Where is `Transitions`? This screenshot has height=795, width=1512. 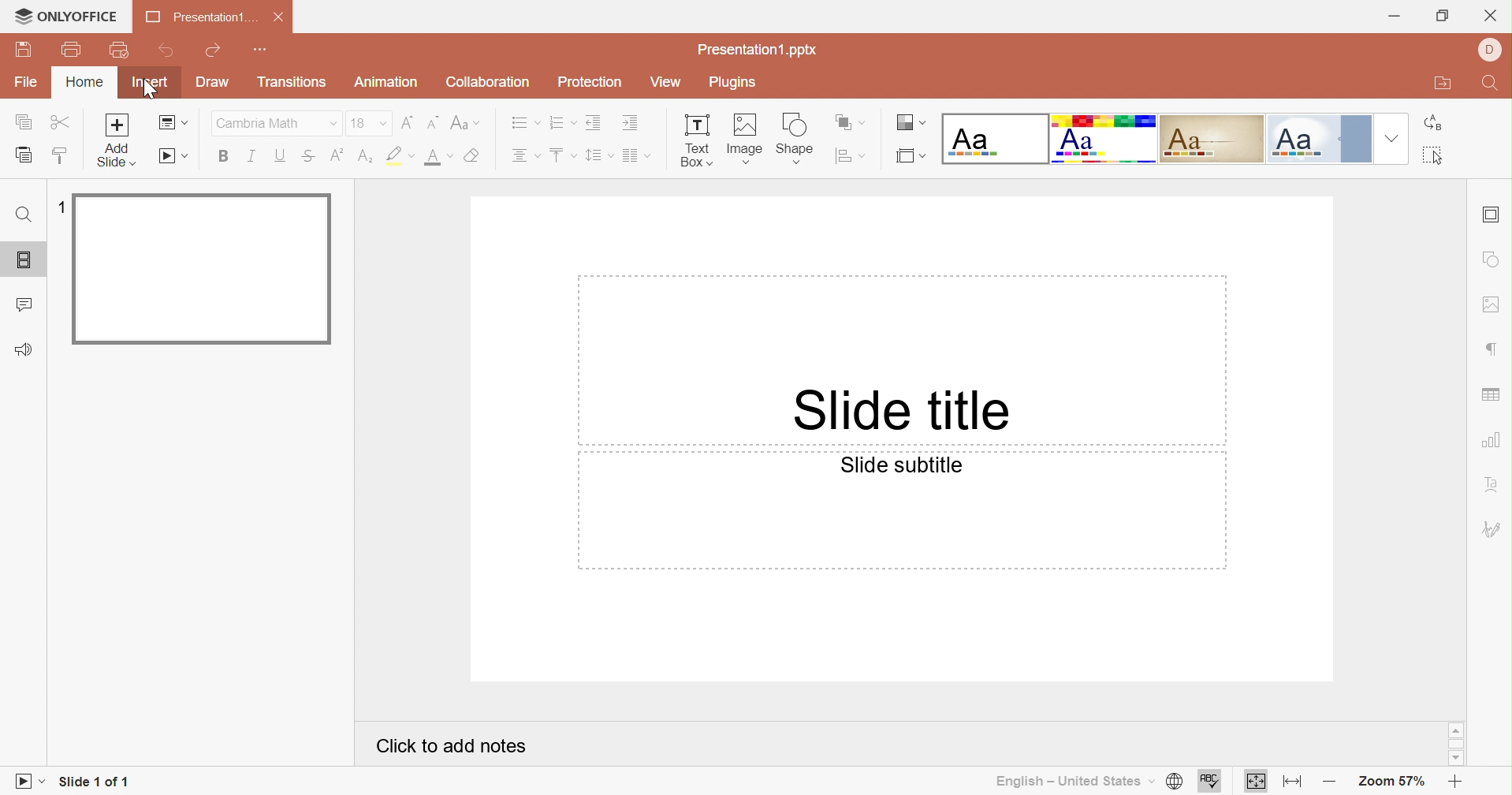 Transitions is located at coordinates (292, 82).